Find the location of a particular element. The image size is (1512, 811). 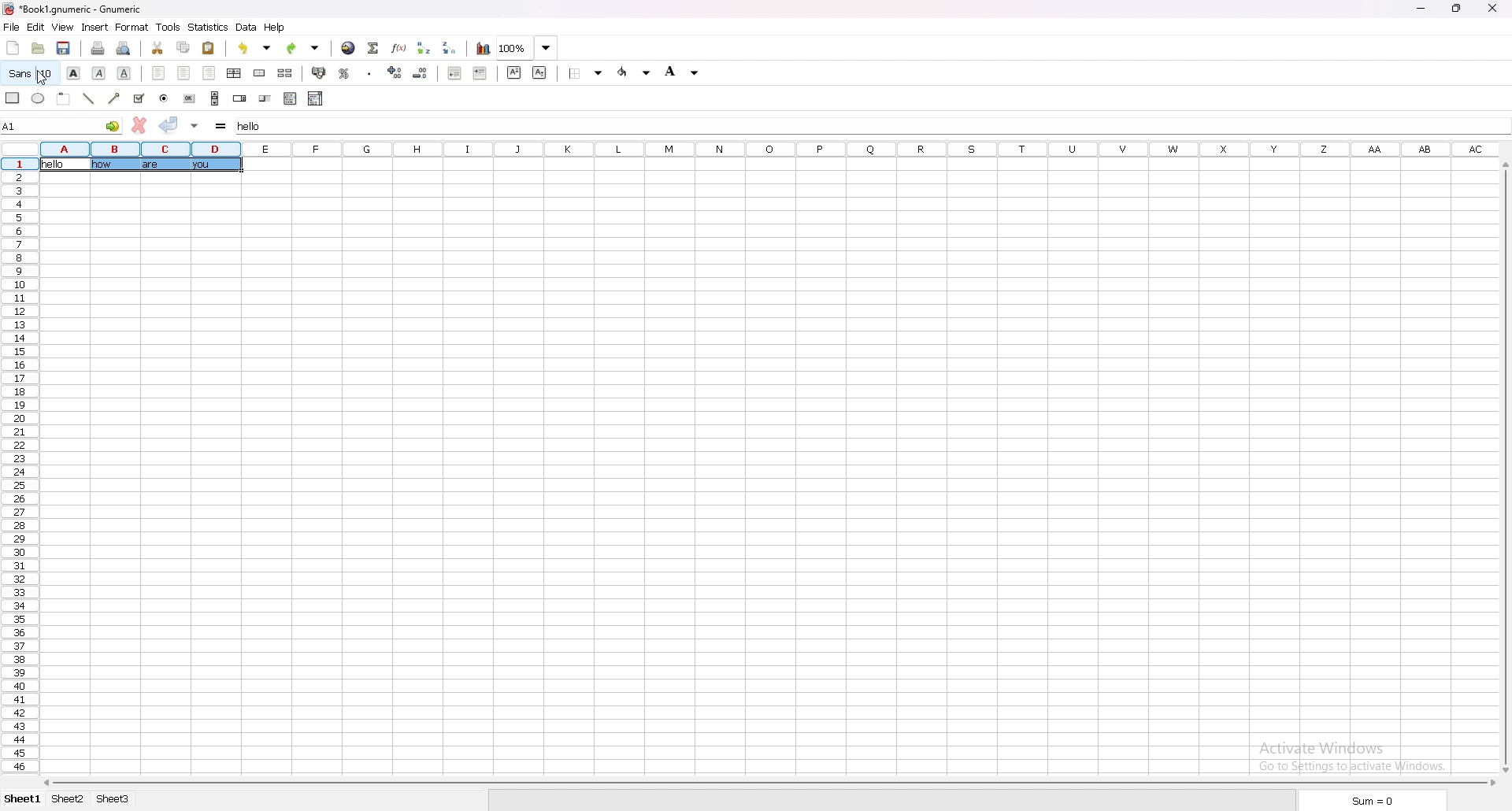

cut is located at coordinates (157, 46).